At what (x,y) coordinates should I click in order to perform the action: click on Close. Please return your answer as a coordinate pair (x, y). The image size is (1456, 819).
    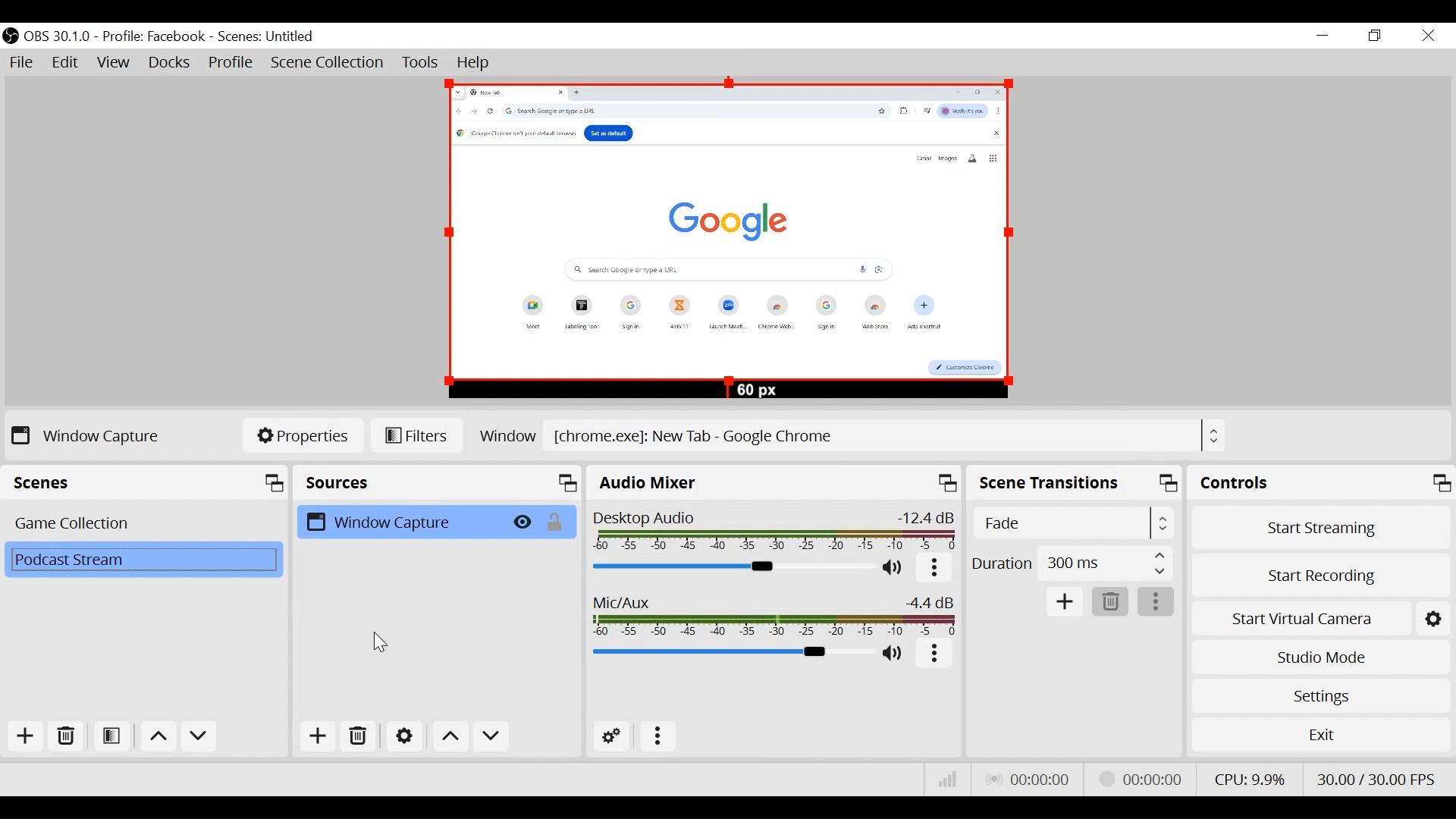
    Looking at the image, I should click on (1427, 36).